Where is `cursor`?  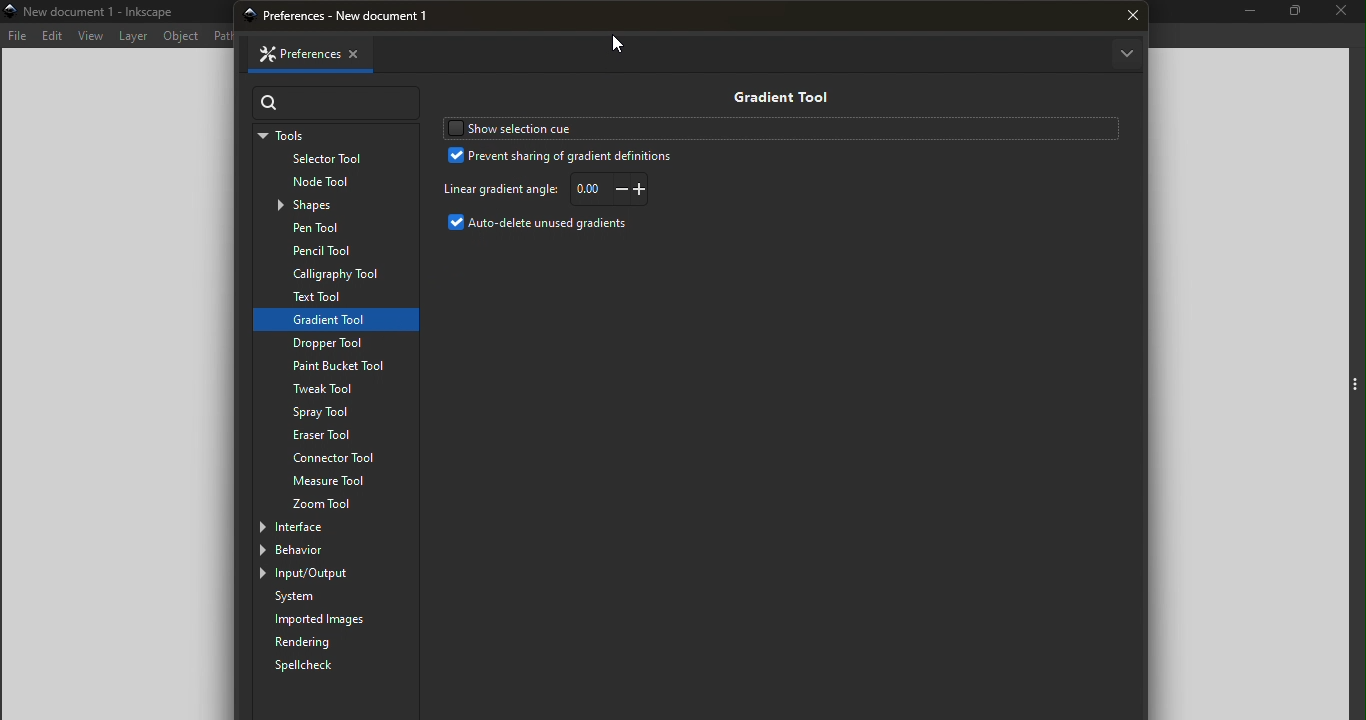 cursor is located at coordinates (623, 45).